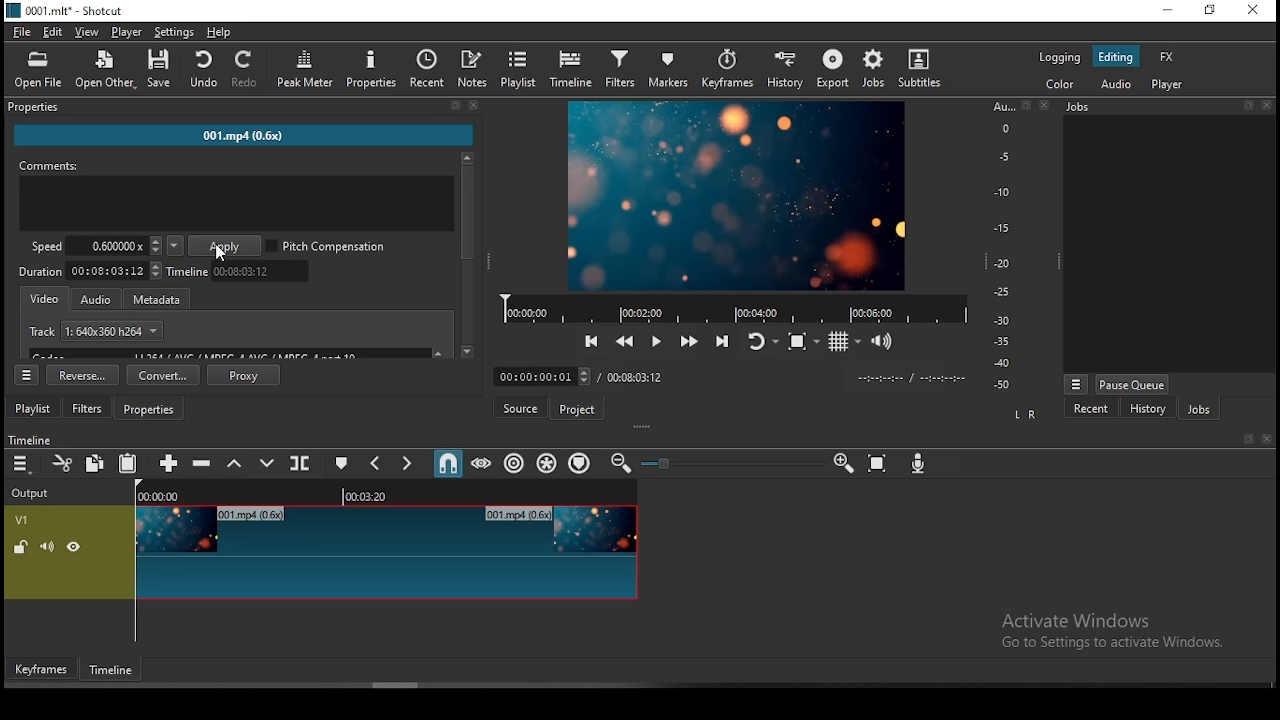  I want to click on reverse, so click(83, 375).